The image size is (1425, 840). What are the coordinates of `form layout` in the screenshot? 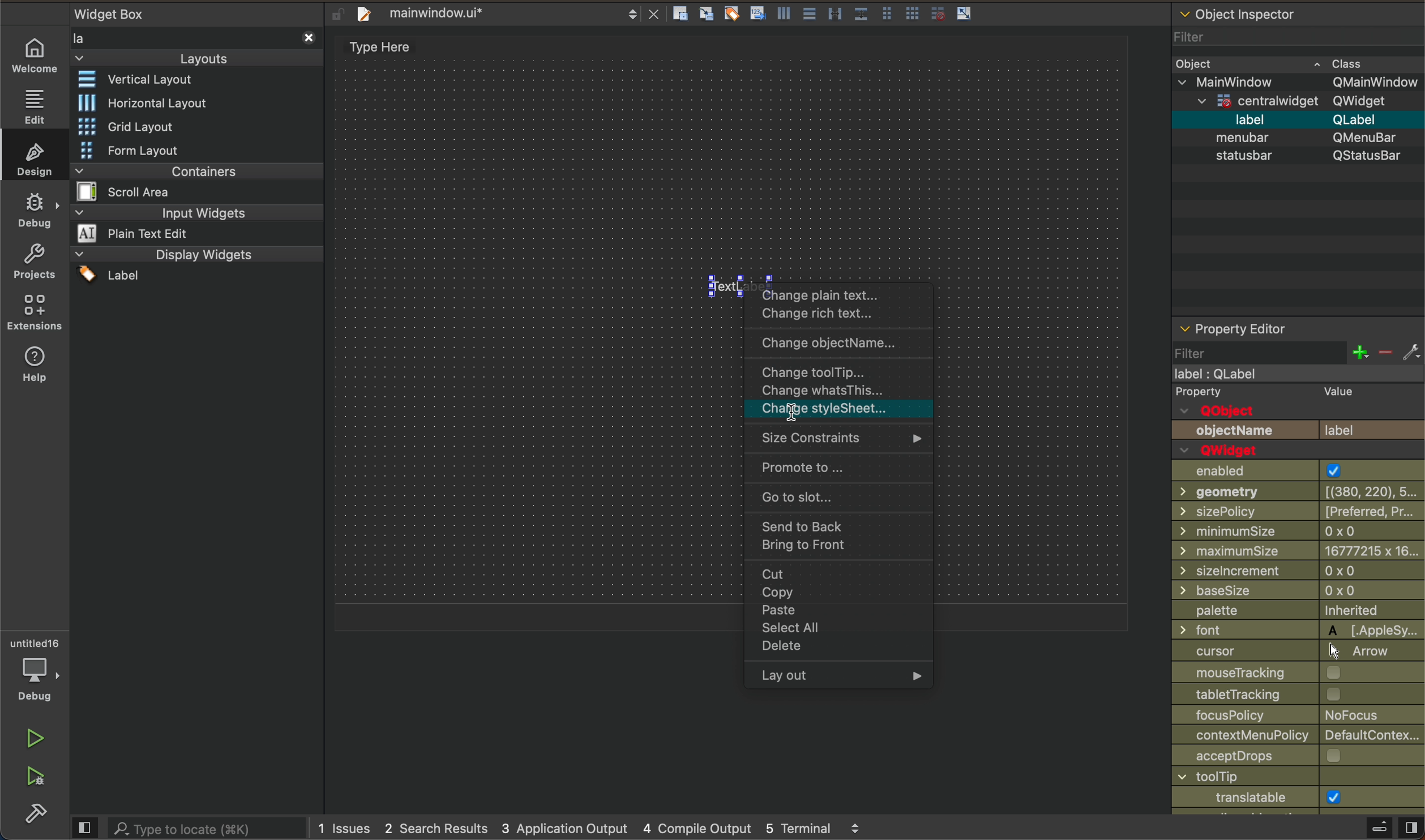 It's located at (138, 150).